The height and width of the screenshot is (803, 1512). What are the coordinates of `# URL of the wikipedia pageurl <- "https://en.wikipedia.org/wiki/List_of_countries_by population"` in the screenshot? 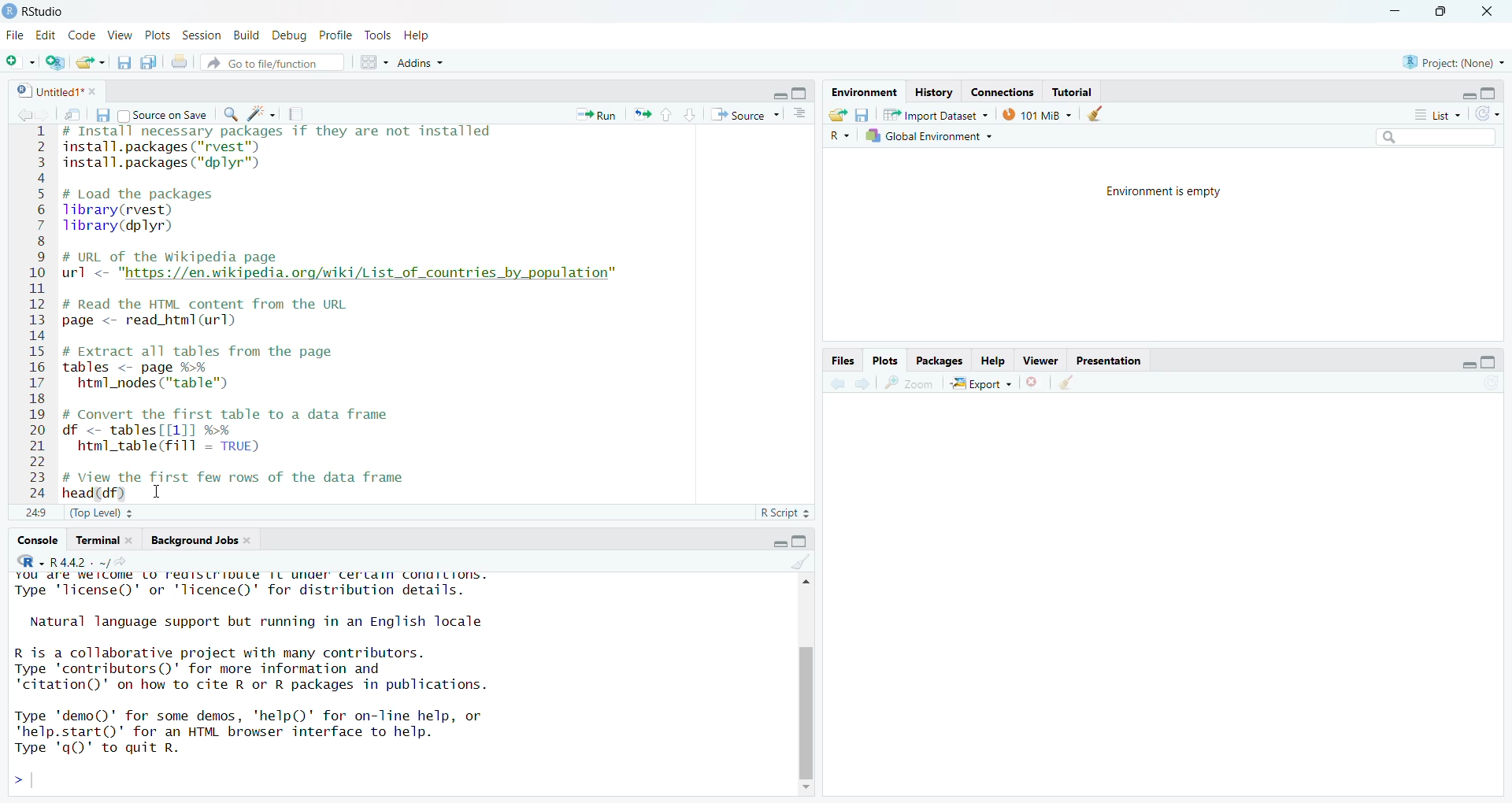 It's located at (343, 268).